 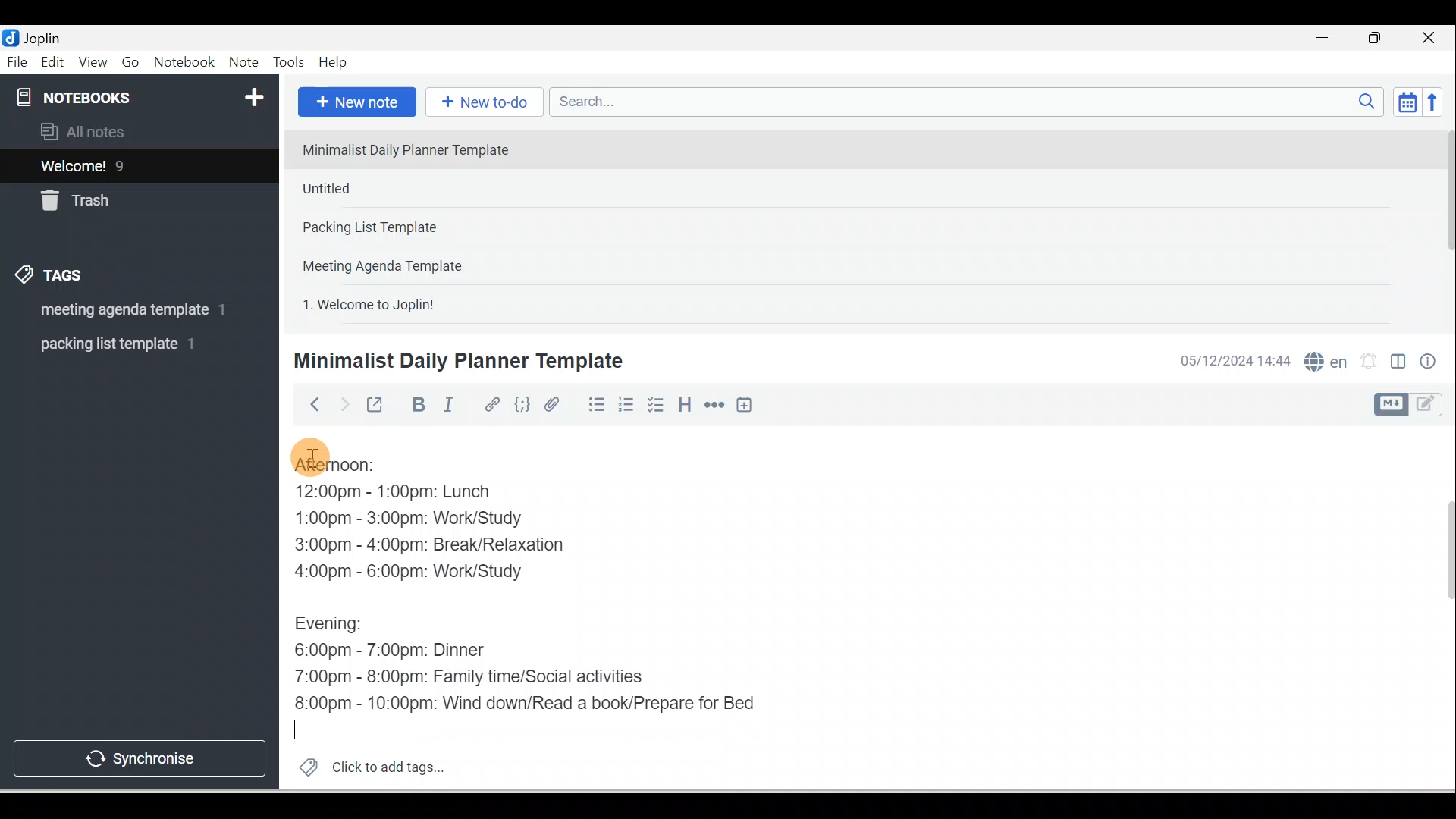 What do you see at coordinates (138, 755) in the screenshot?
I see `Synchronise` at bounding box center [138, 755].